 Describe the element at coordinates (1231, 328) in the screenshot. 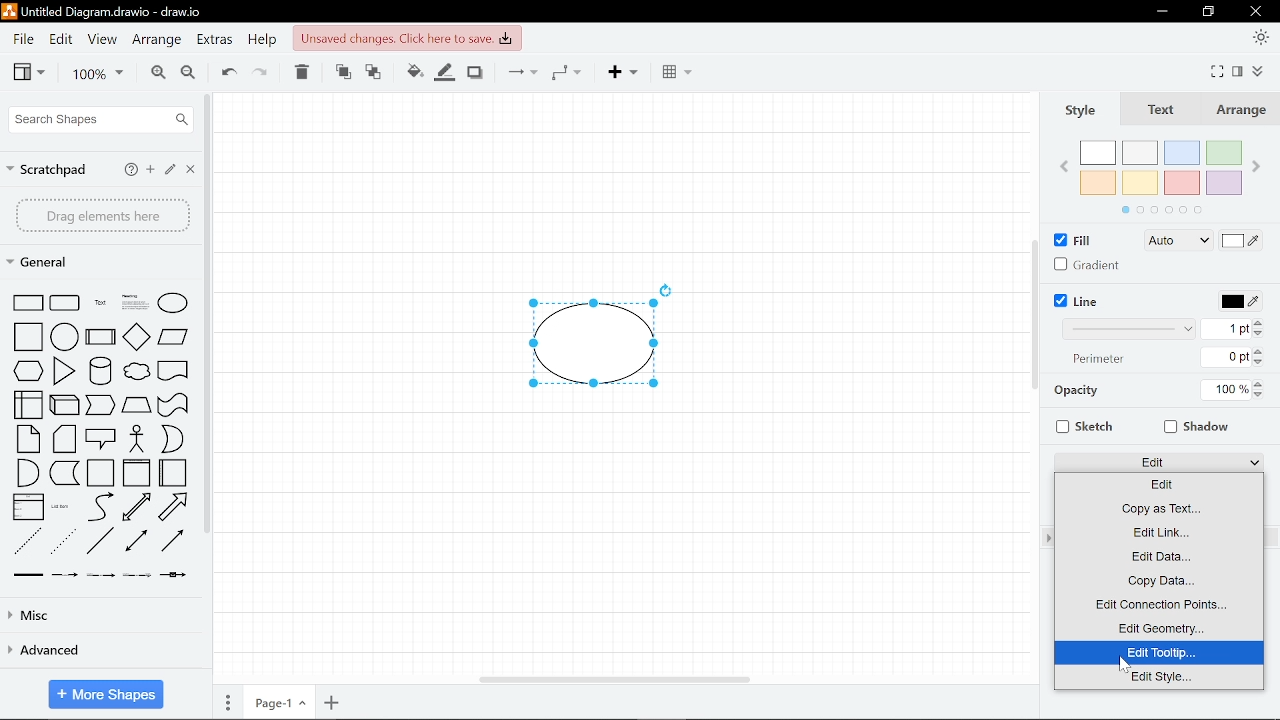

I see `Current line width` at that location.